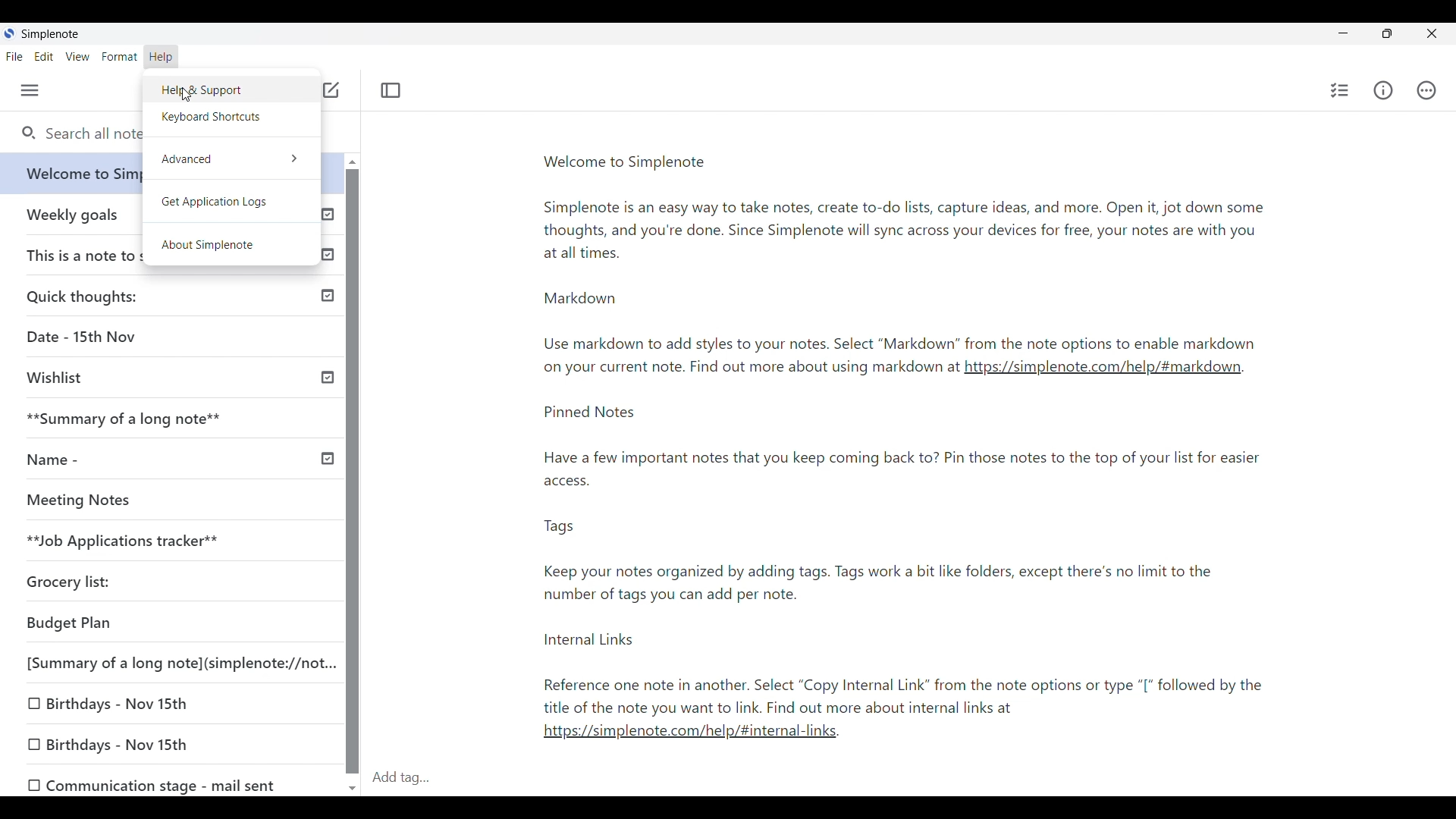 The image size is (1456, 819). Describe the element at coordinates (30, 91) in the screenshot. I see `Menu` at that location.